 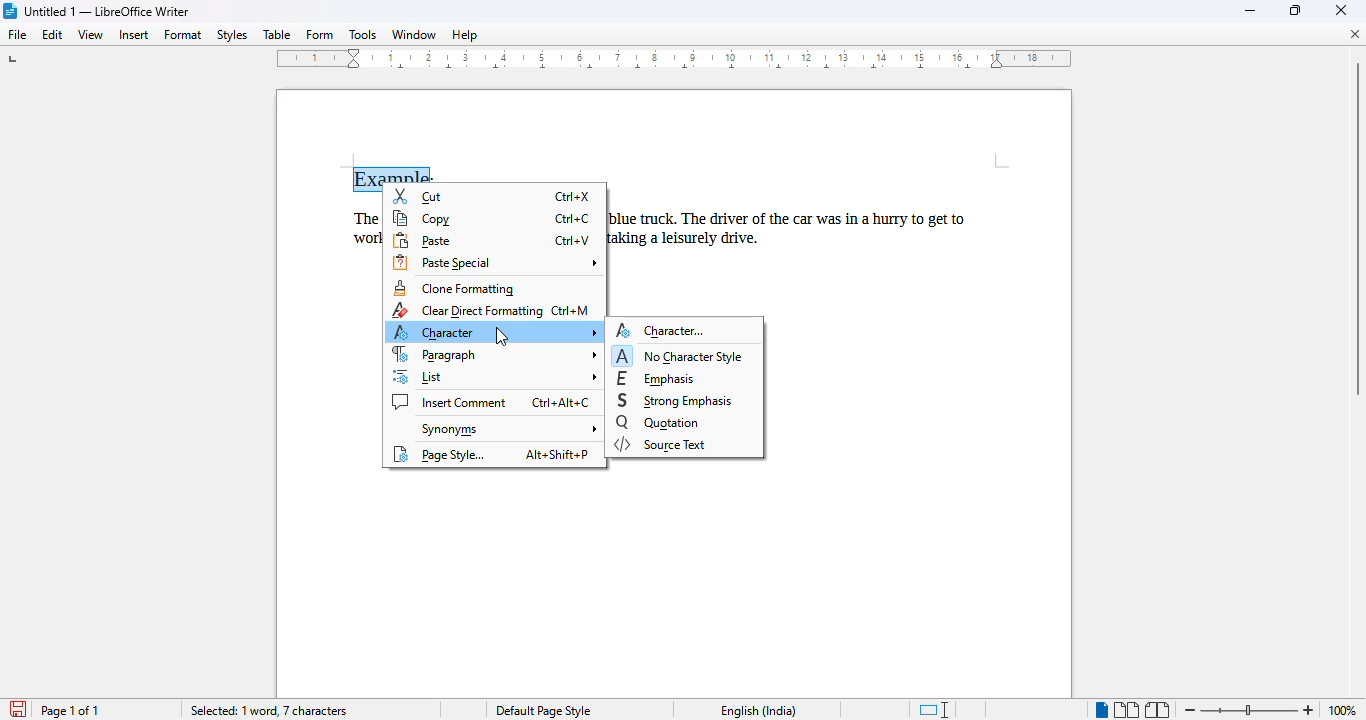 What do you see at coordinates (759, 711) in the screenshot?
I see `English (India)` at bounding box center [759, 711].